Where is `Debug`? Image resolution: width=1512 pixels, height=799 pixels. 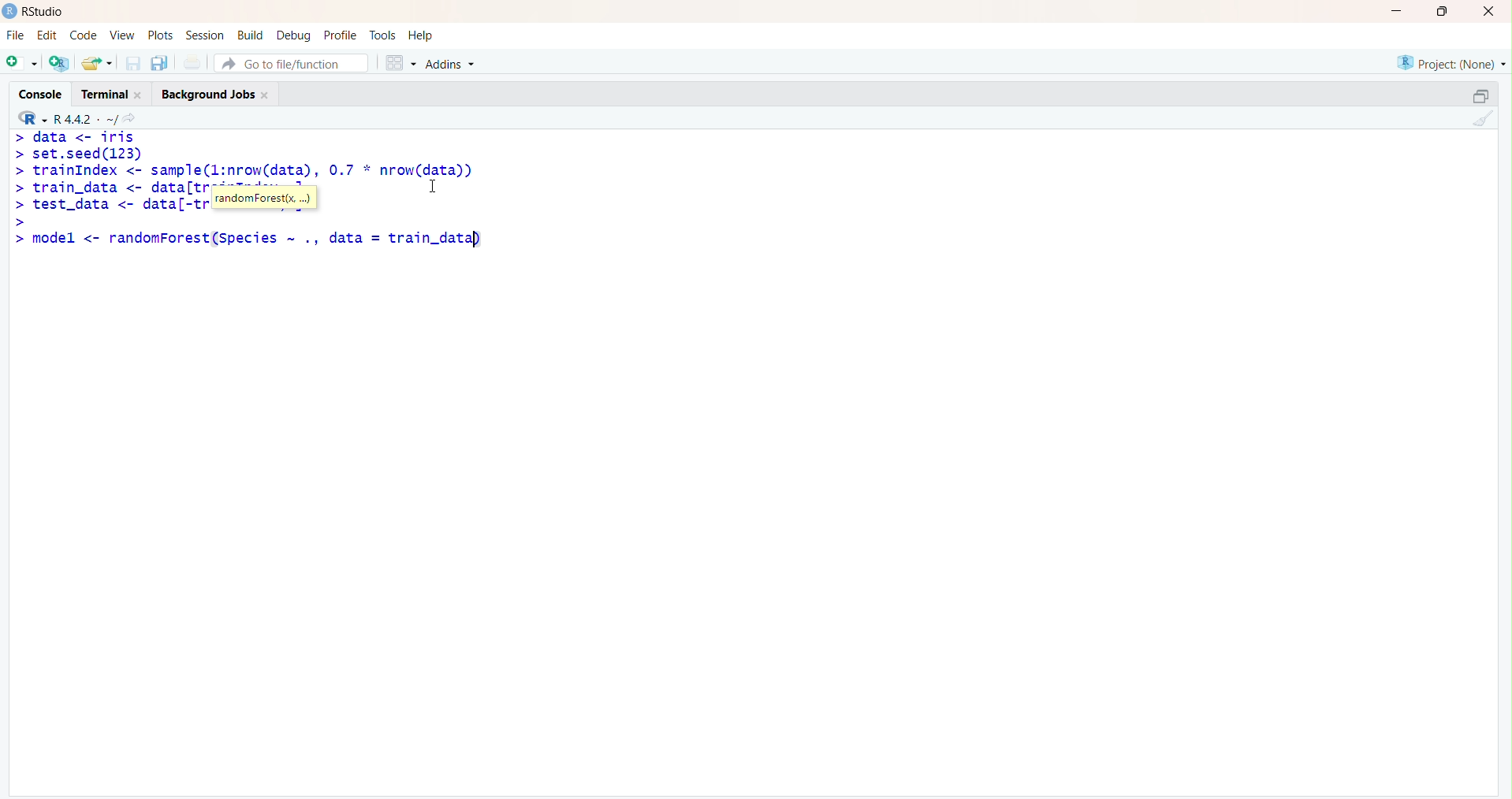 Debug is located at coordinates (295, 34).